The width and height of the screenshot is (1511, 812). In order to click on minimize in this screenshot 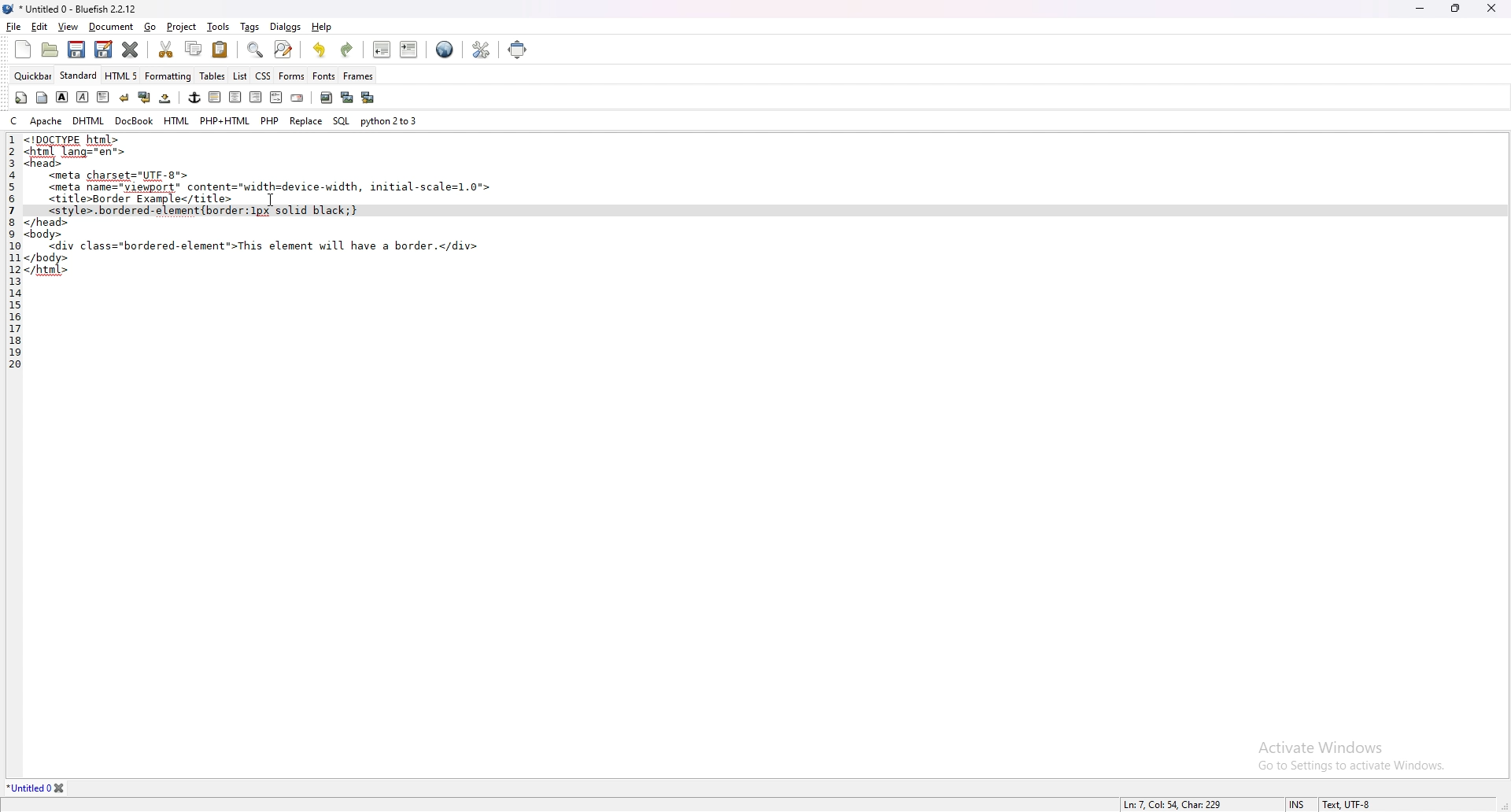, I will do `click(1422, 8)`.